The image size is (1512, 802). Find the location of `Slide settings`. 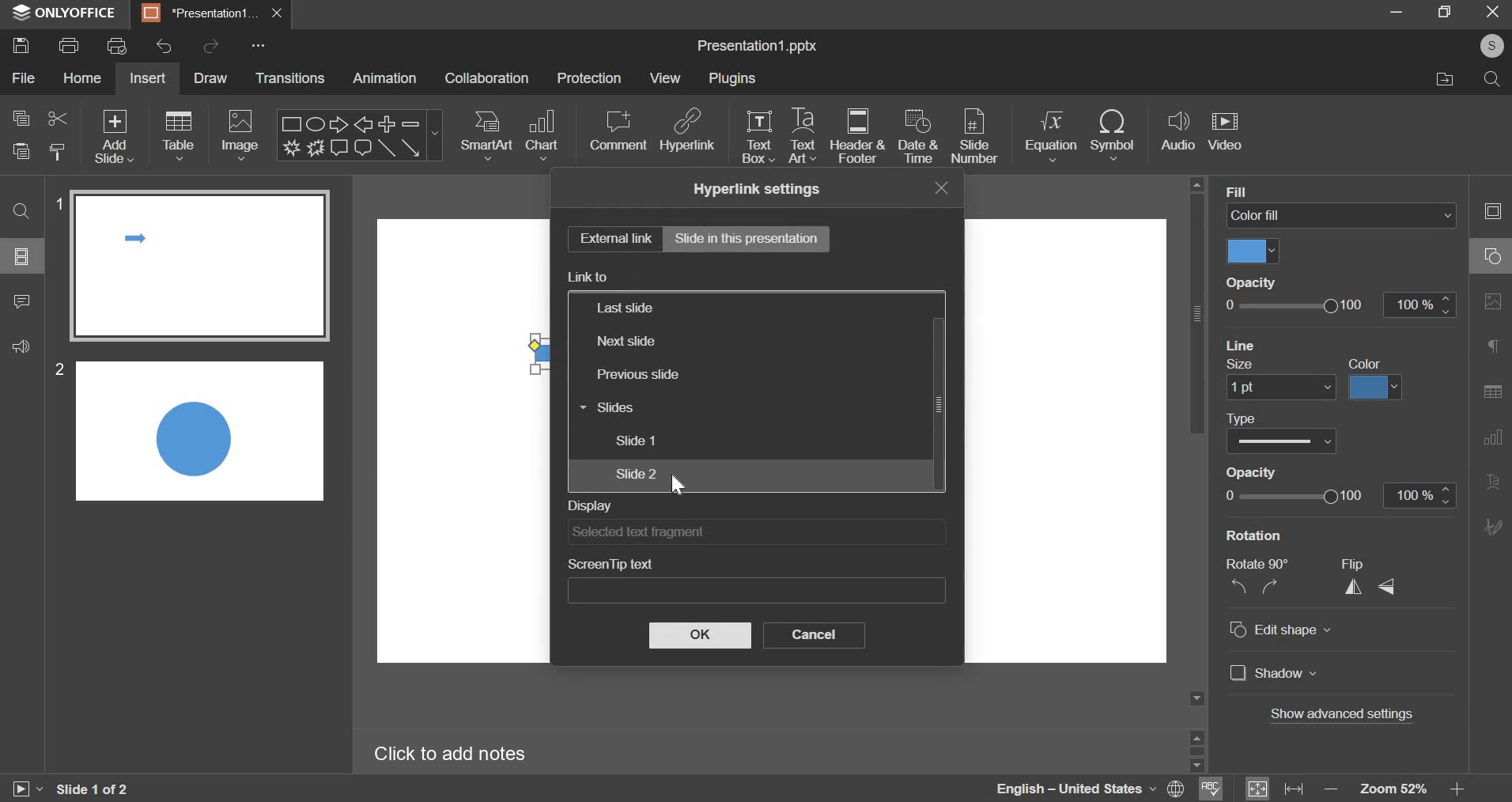

Slide settings is located at coordinates (1495, 213).